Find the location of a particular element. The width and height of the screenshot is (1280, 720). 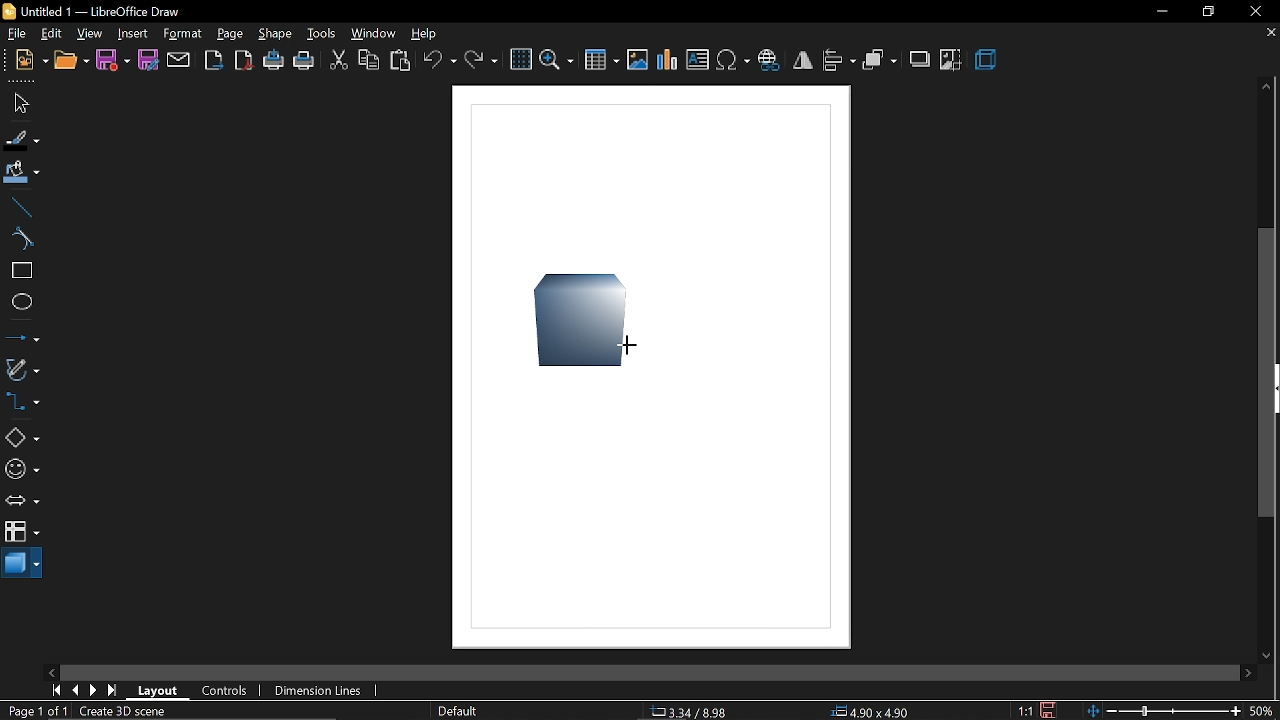

curves and polygons is located at coordinates (22, 371).